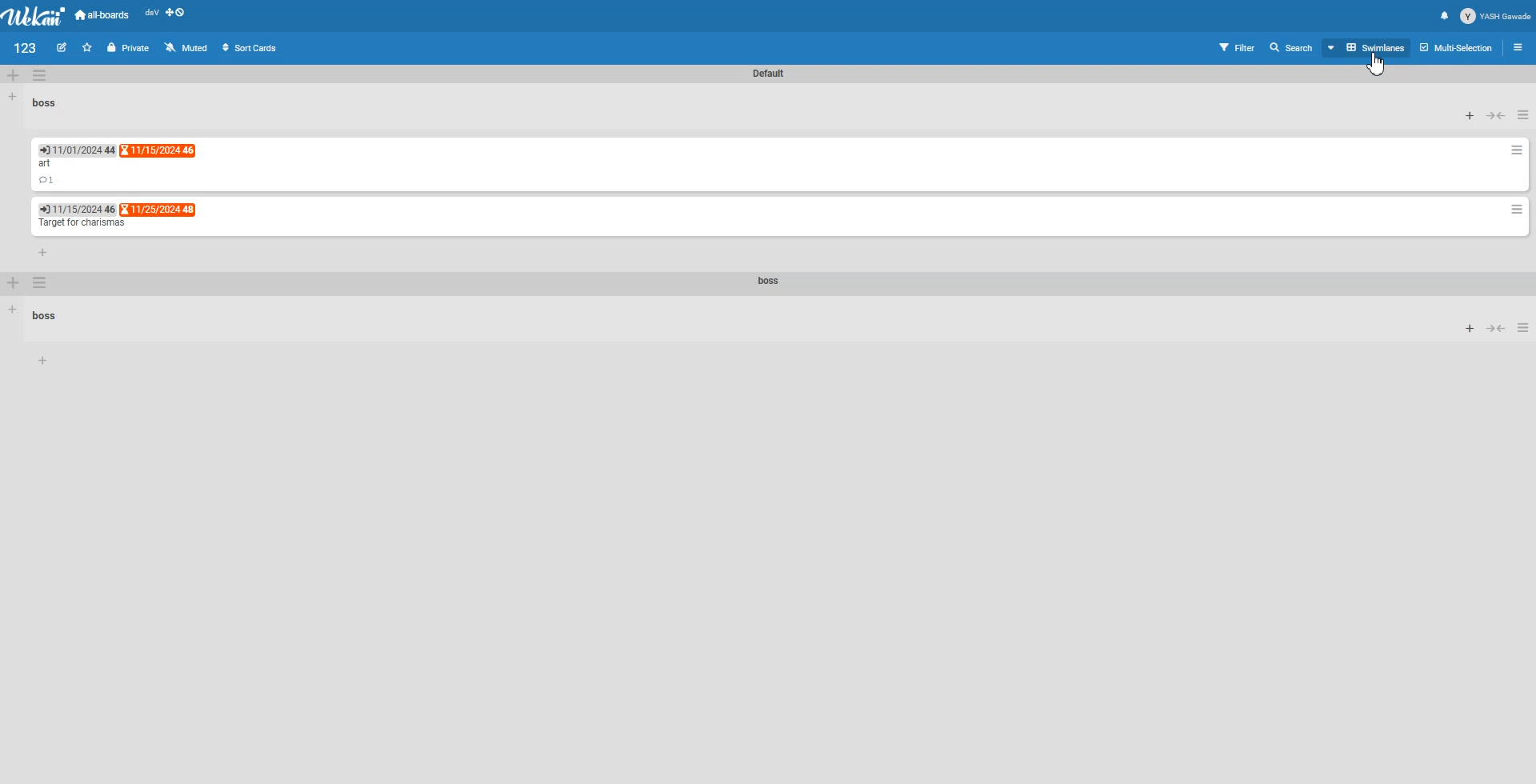 This screenshot has height=784, width=1536. Describe the element at coordinates (46, 181) in the screenshot. I see `Comment` at that location.